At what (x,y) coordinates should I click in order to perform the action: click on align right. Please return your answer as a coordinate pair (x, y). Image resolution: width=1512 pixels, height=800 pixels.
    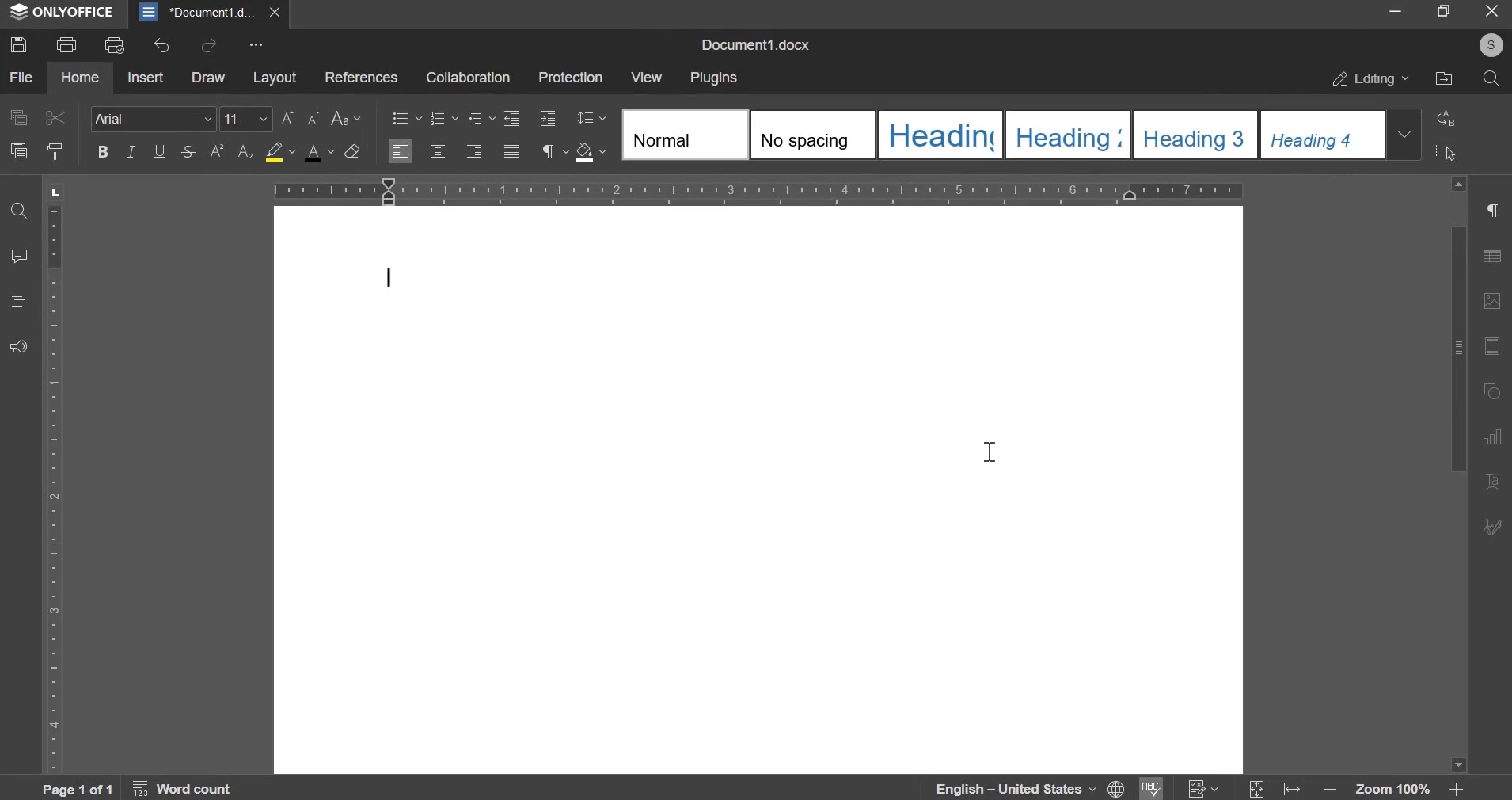
    Looking at the image, I should click on (477, 154).